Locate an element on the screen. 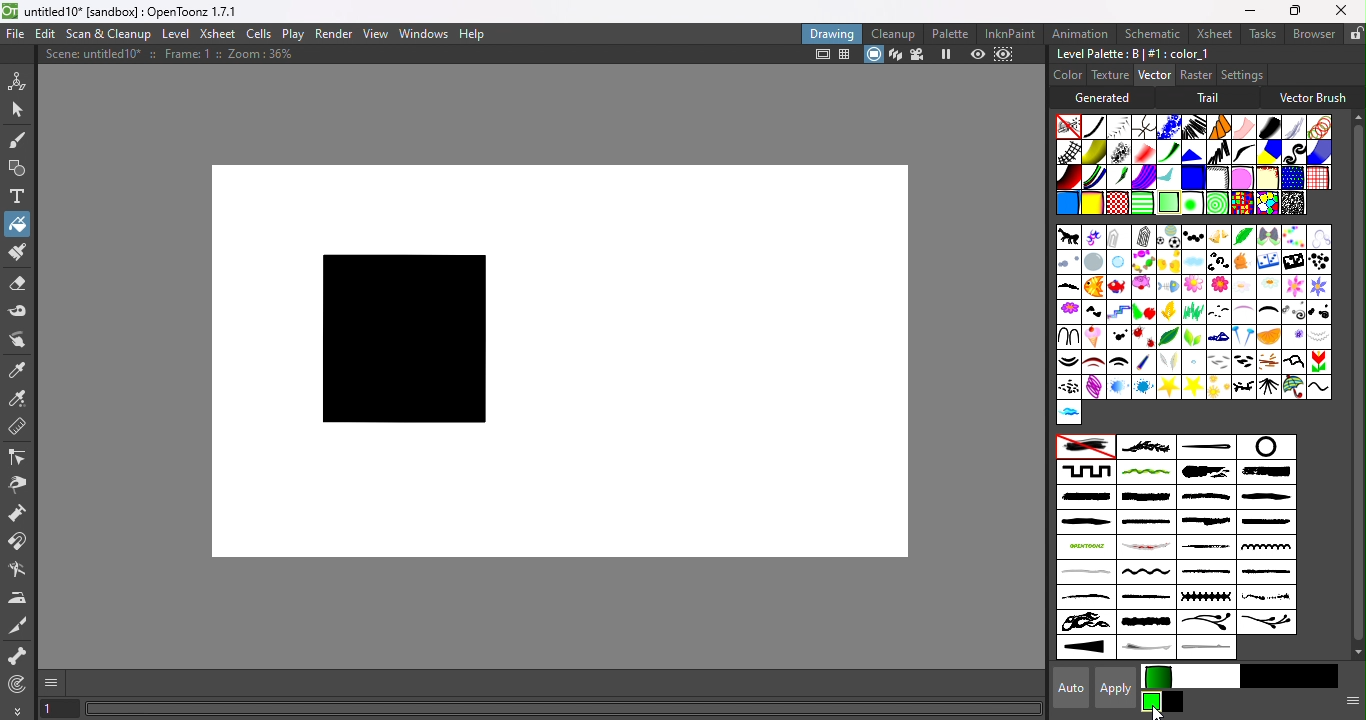 The width and height of the screenshot is (1366, 720). flow3 is located at coordinates (1268, 289).